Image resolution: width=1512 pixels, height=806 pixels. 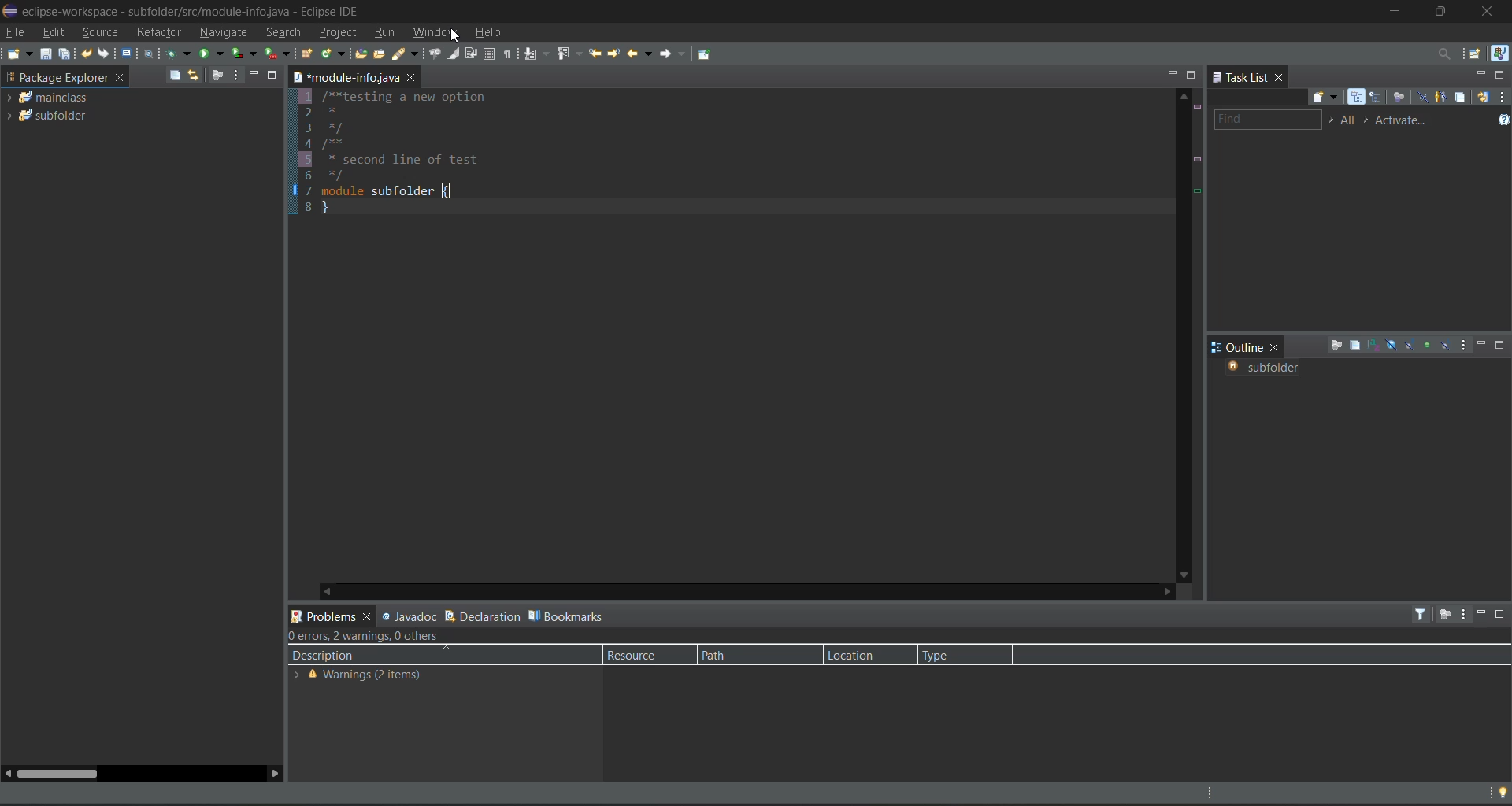 I want to click on close, so click(x=1277, y=349).